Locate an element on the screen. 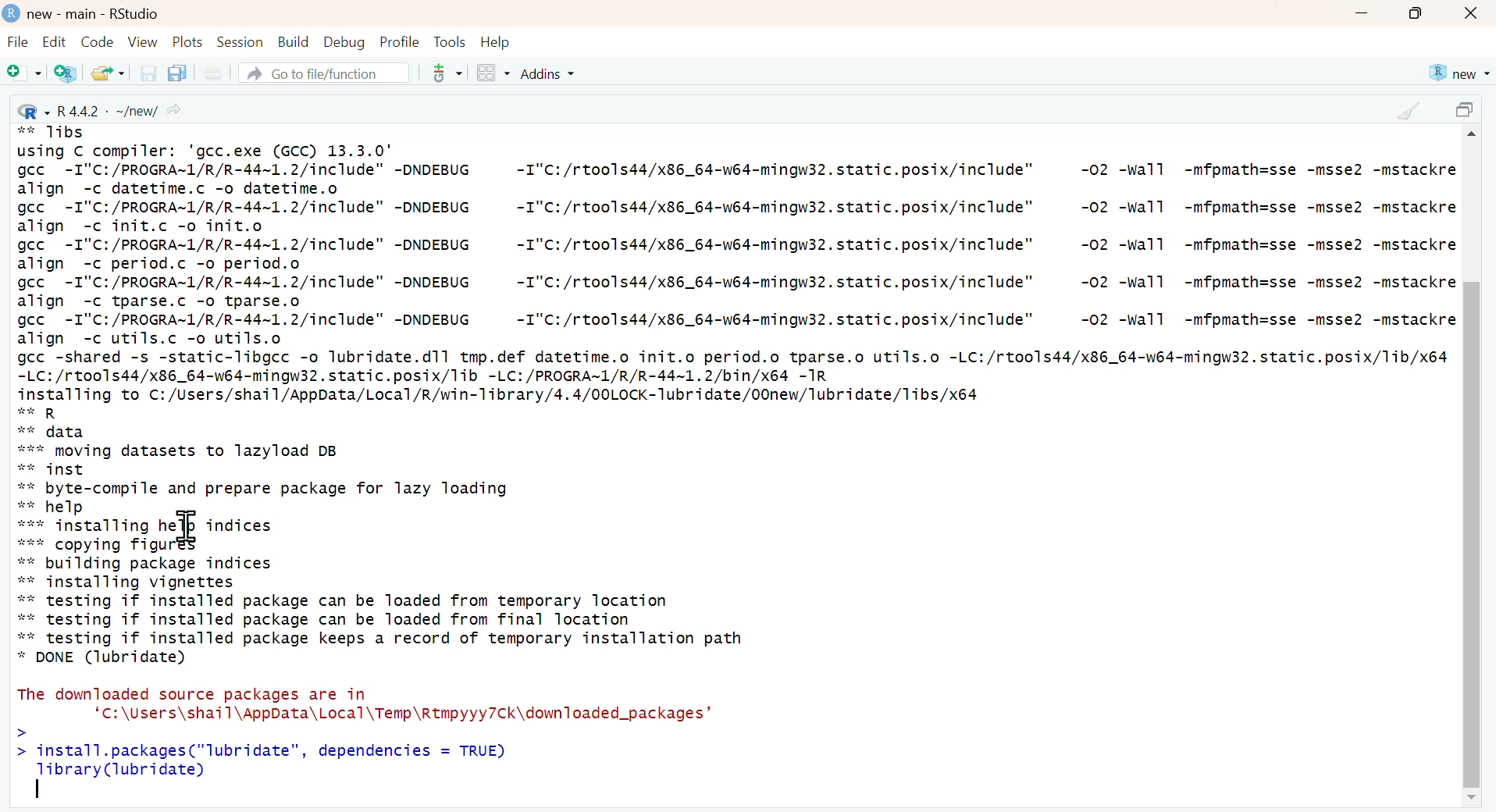 The image size is (1496, 812). maximize is located at coordinates (1468, 112).